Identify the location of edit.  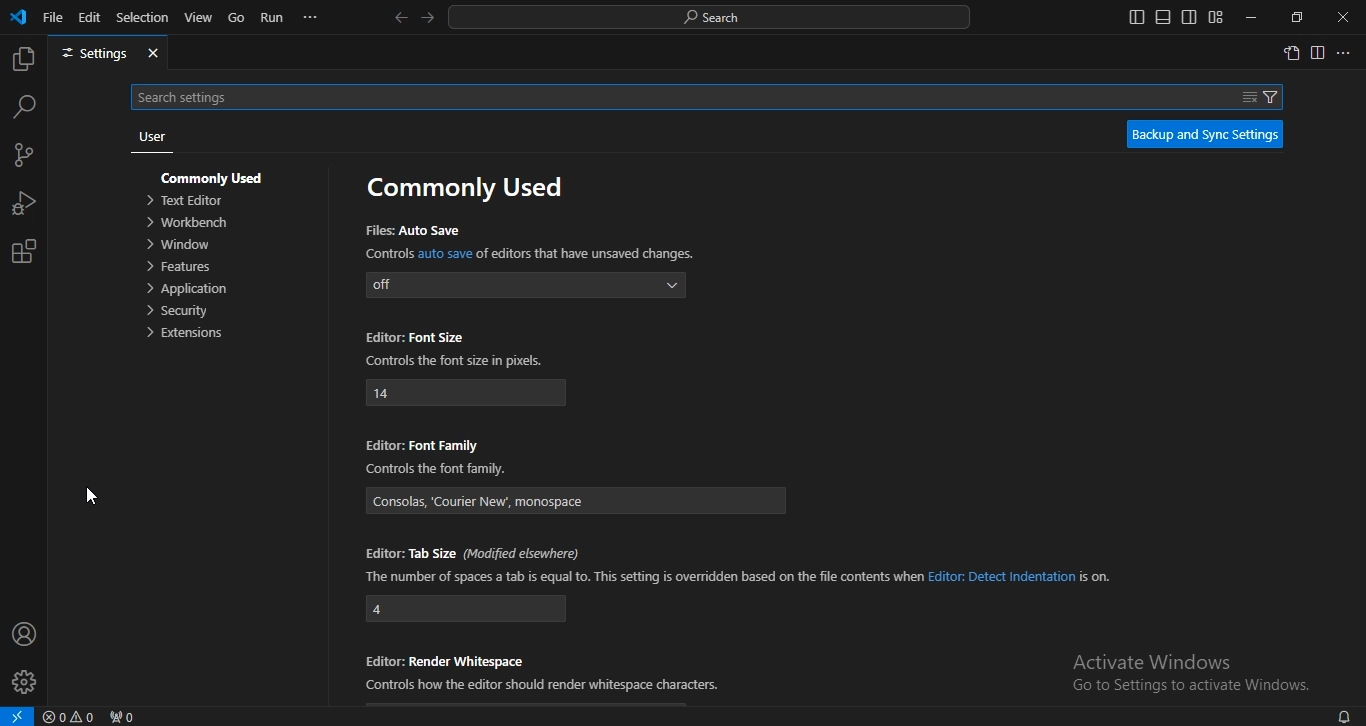
(90, 16).